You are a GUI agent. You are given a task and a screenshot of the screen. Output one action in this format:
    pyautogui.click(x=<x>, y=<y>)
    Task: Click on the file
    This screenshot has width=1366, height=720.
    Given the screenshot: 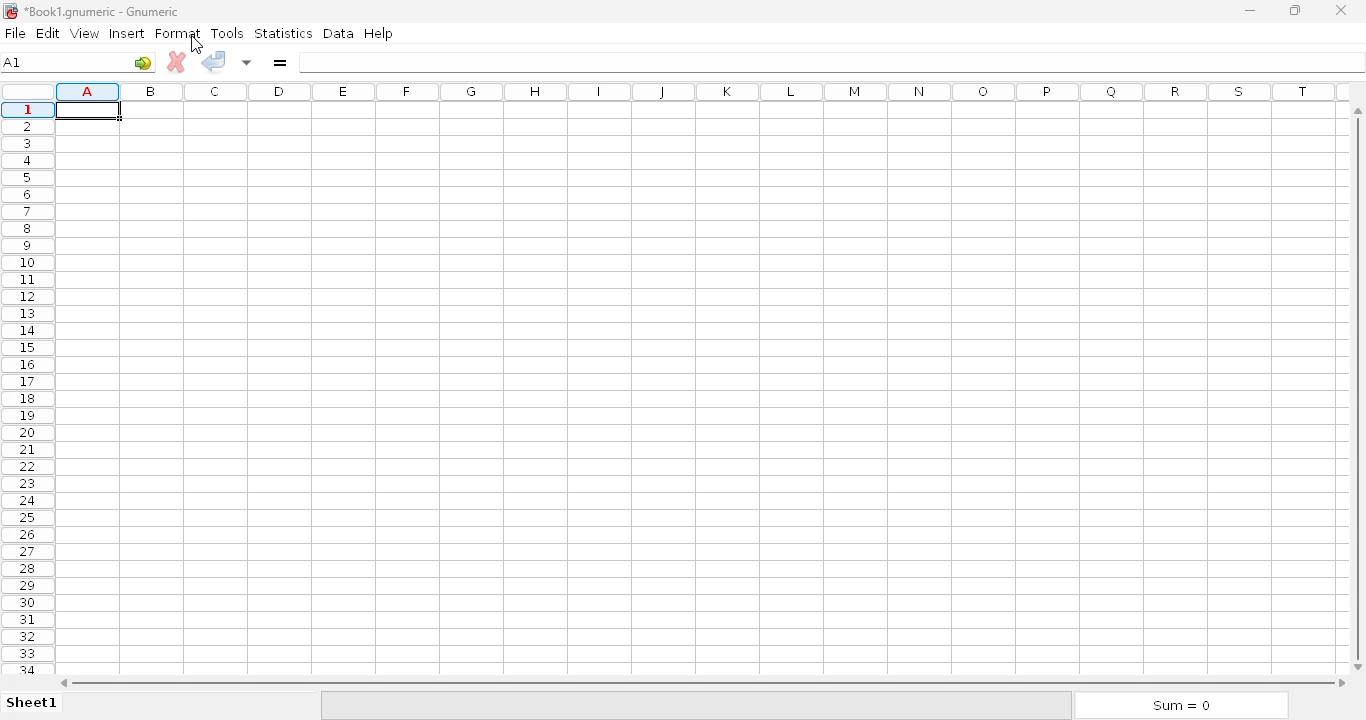 What is the action you would take?
    pyautogui.click(x=15, y=33)
    